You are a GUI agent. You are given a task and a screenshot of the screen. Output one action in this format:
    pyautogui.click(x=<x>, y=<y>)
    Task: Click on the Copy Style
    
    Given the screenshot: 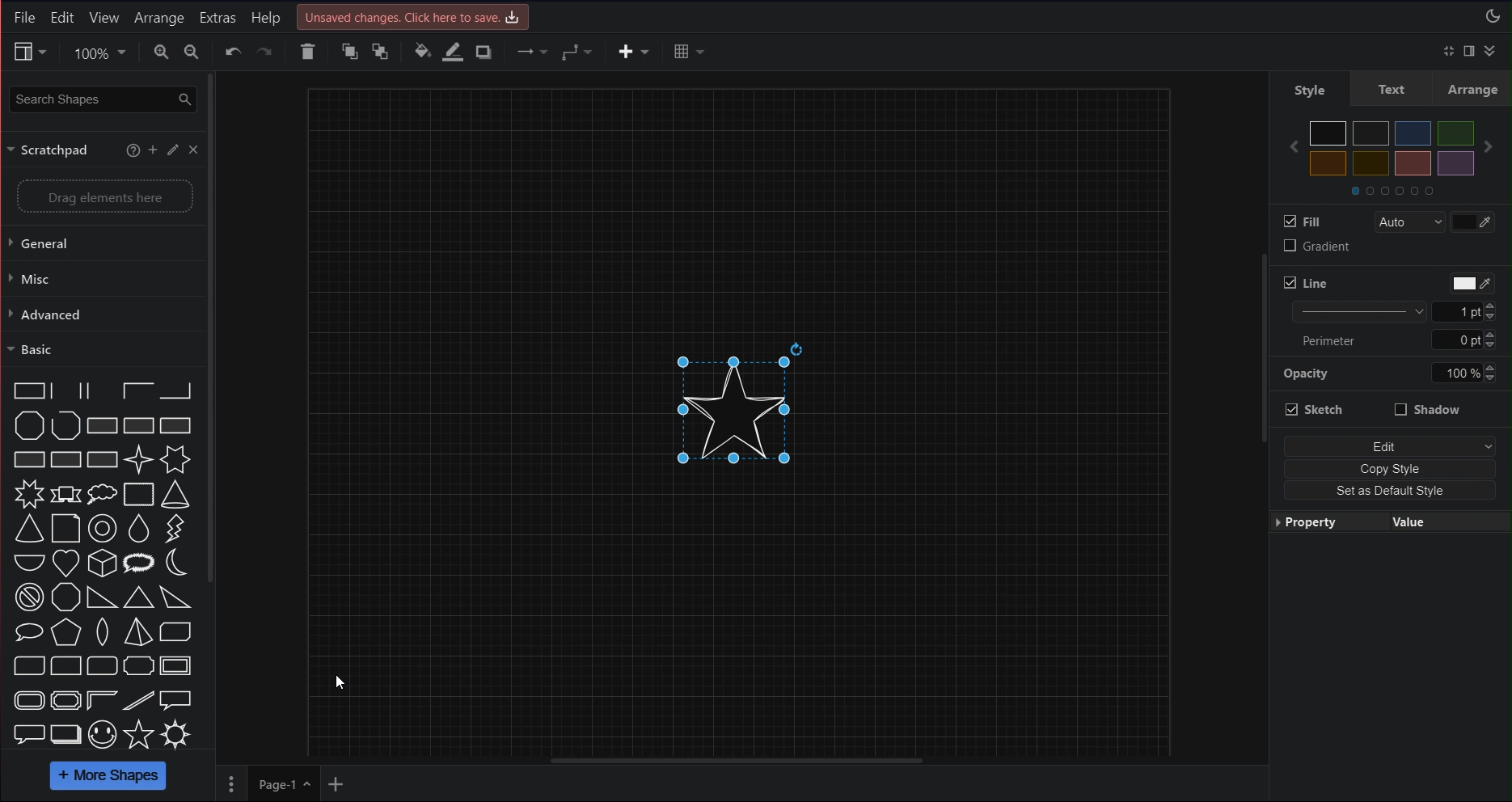 What is the action you would take?
    pyautogui.click(x=1390, y=469)
    